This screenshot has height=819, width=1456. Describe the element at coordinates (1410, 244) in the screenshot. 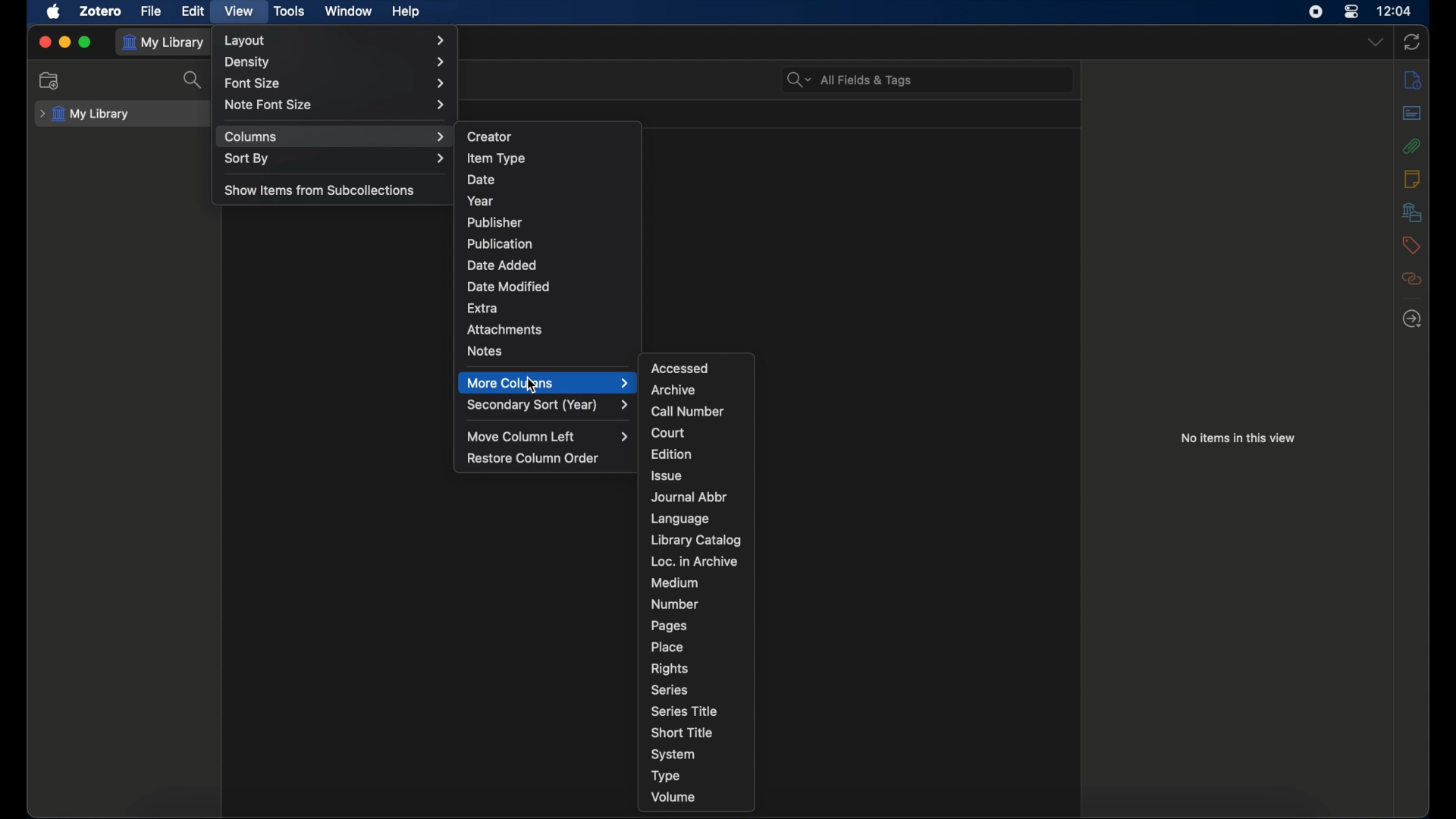

I see `tags` at that location.